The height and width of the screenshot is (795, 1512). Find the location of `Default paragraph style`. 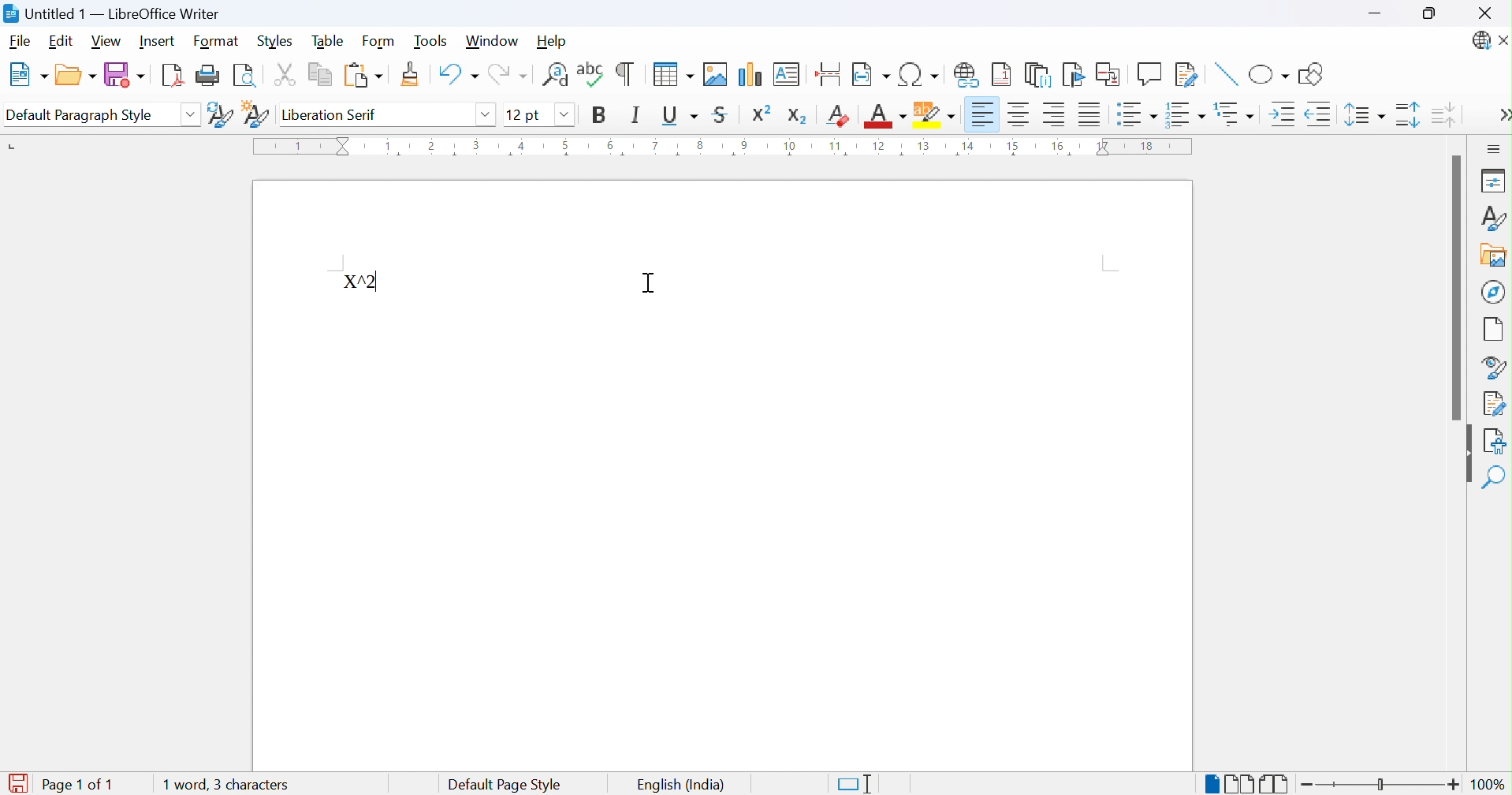

Default paragraph style is located at coordinates (81, 116).